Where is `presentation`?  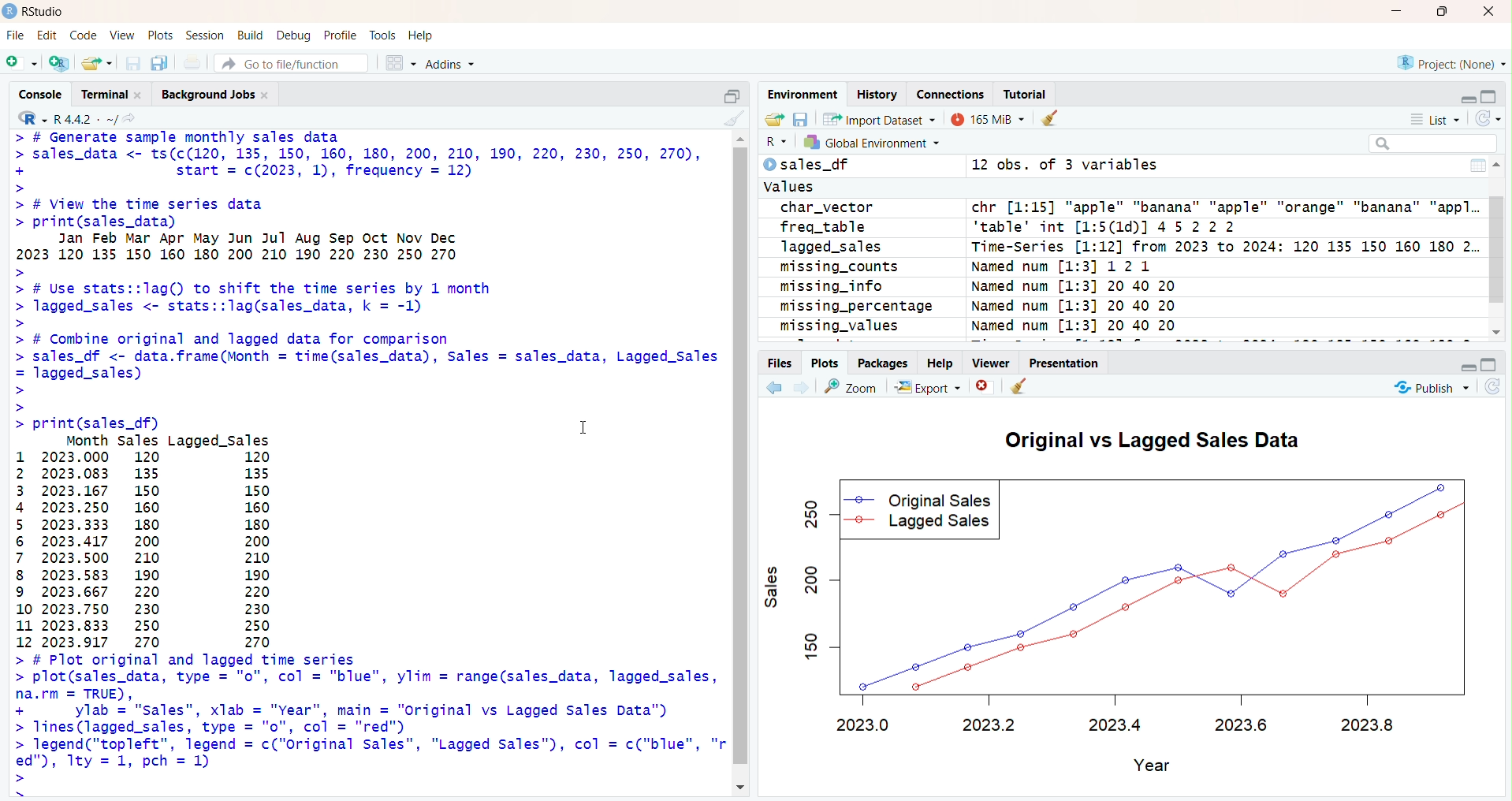 presentation is located at coordinates (1067, 363).